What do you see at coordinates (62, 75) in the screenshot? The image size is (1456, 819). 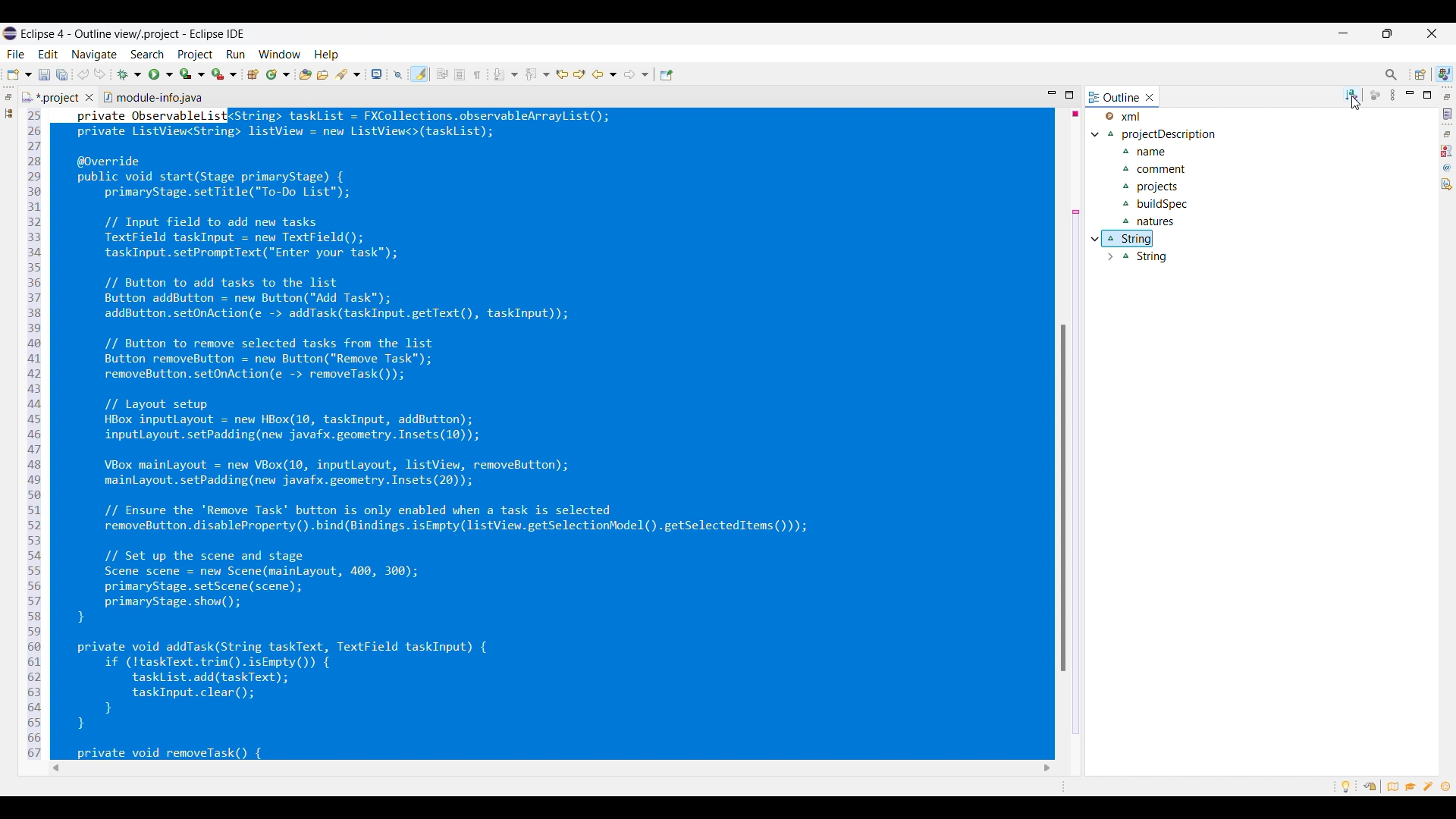 I see `Save all` at bounding box center [62, 75].